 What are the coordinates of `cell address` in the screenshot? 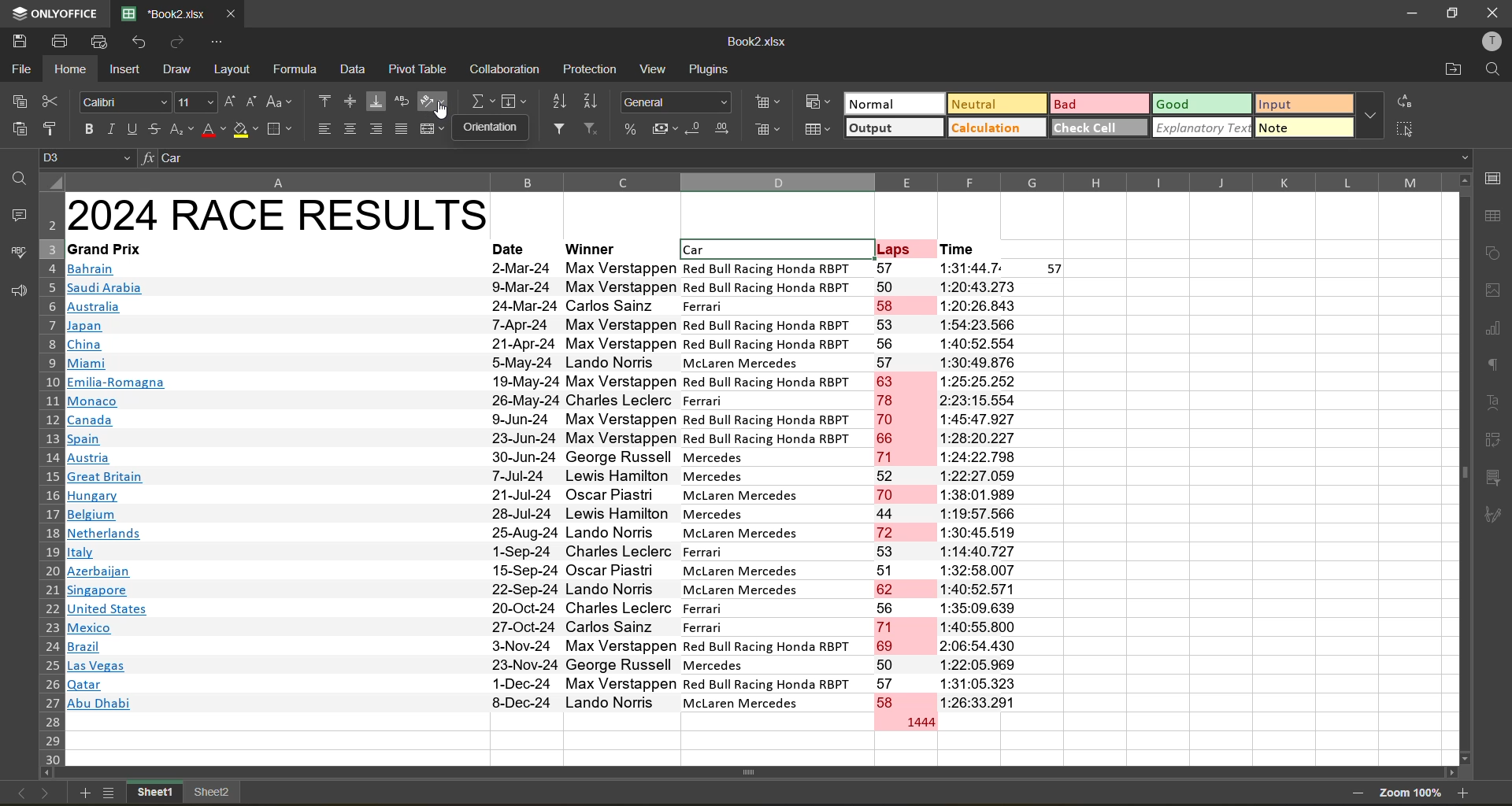 It's located at (88, 157).